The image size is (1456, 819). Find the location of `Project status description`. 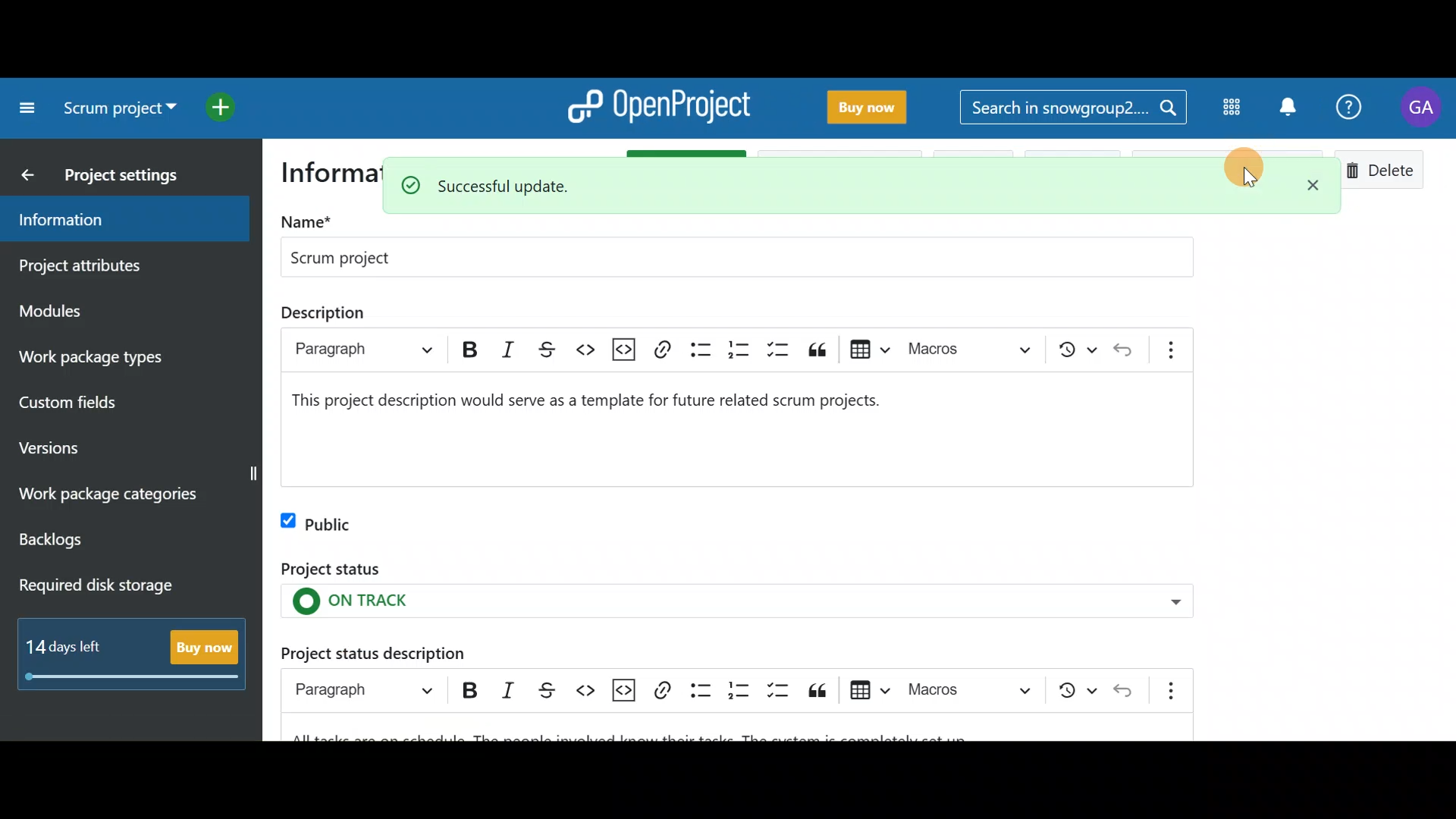

Project status description is located at coordinates (422, 649).